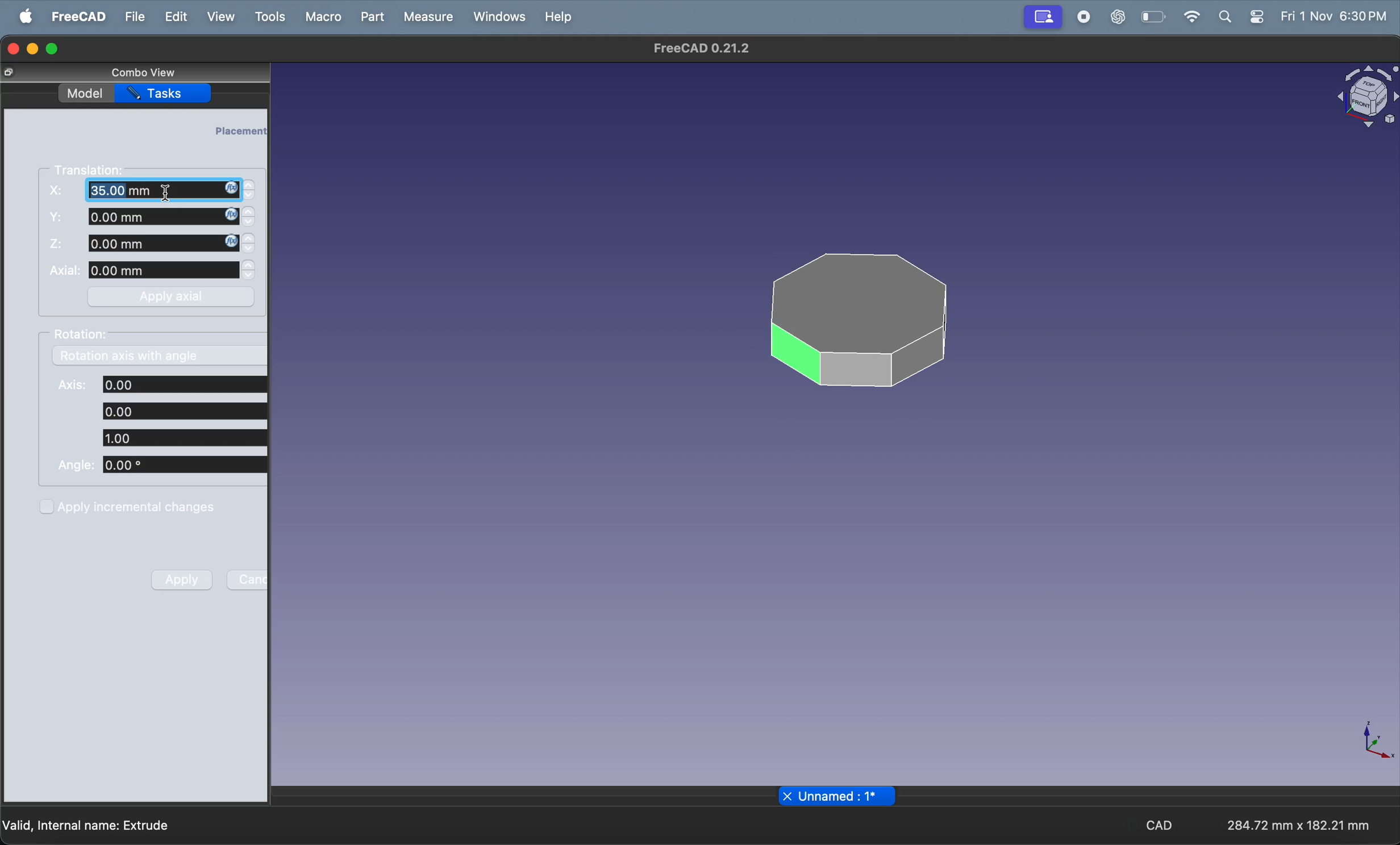 This screenshot has height=845, width=1400. I want to click on minimize, so click(33, 49).